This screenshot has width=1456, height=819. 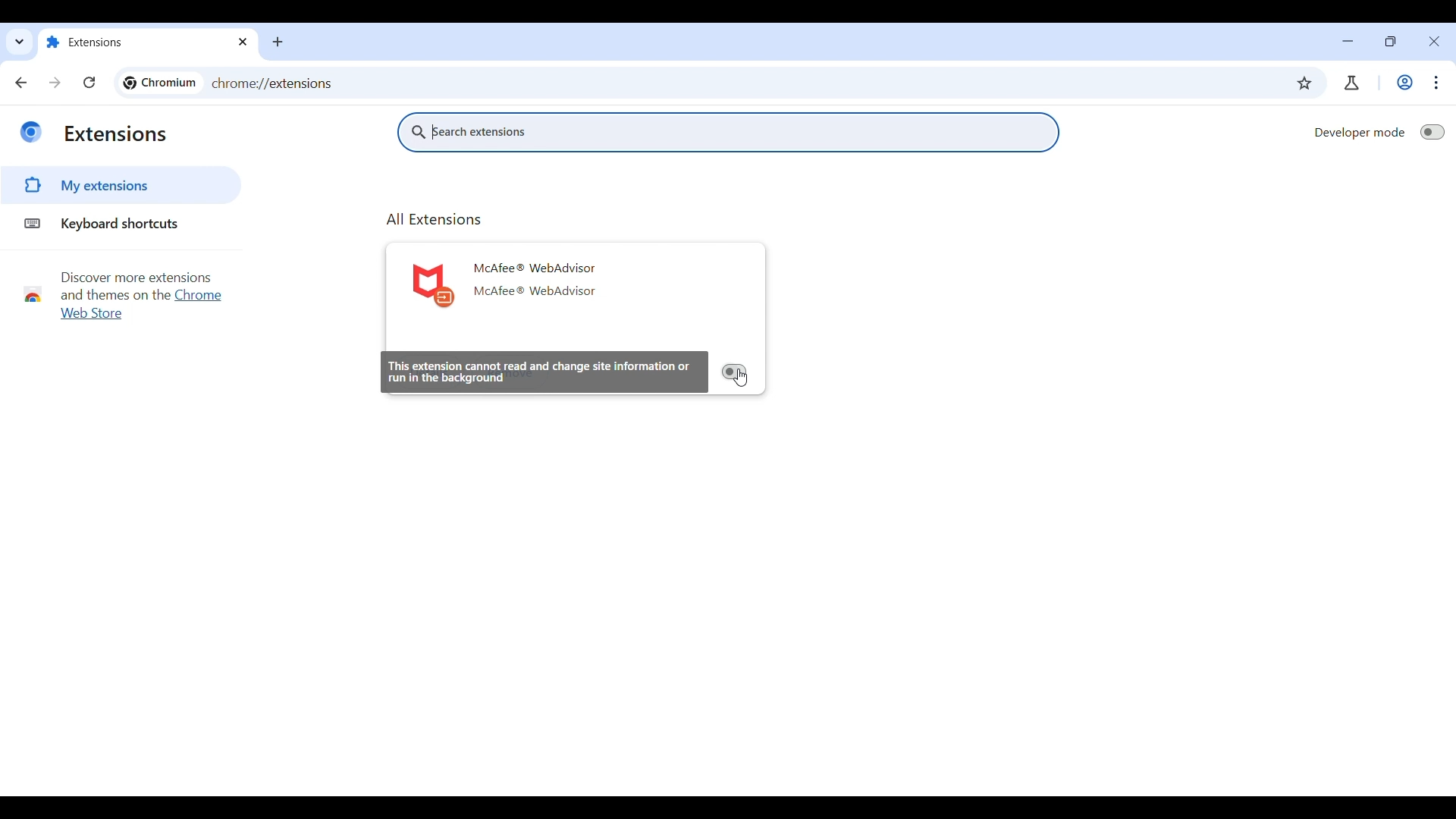 I want to click on Extensions, so click(x=115, y=134).